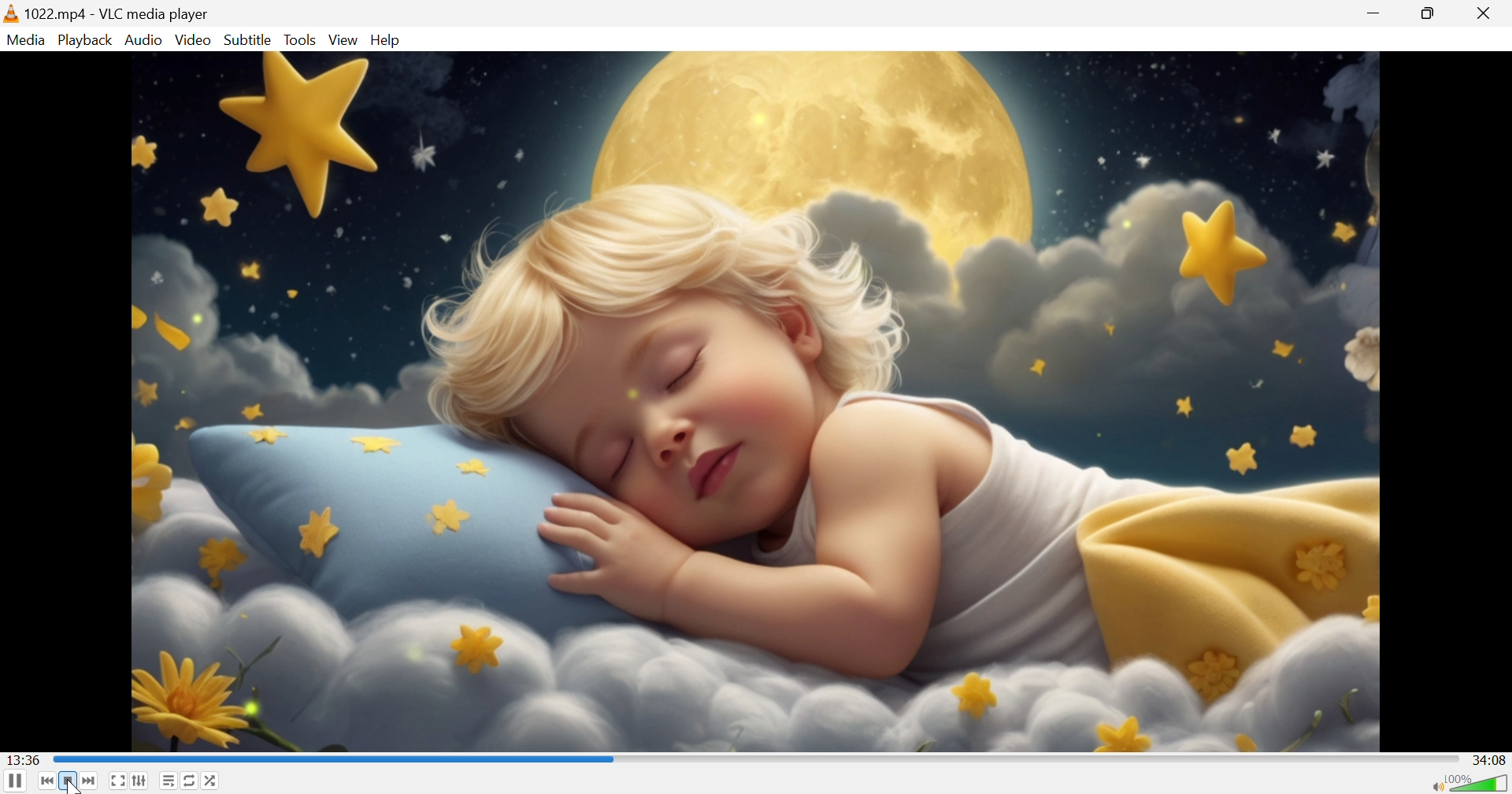  I want to click on cursor, so click(74, 787).